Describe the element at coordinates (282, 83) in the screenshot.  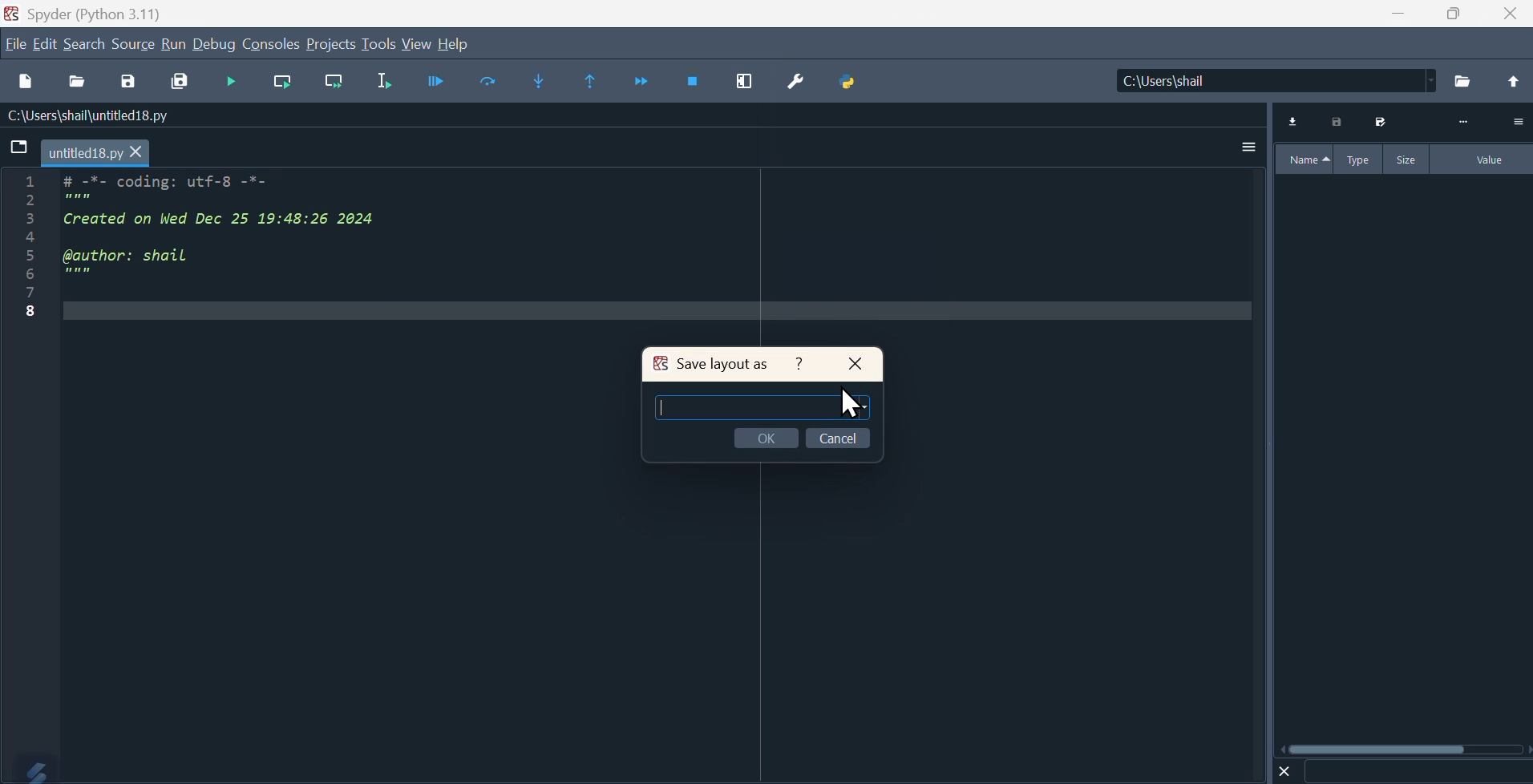
I see `Run current cell` at that location.